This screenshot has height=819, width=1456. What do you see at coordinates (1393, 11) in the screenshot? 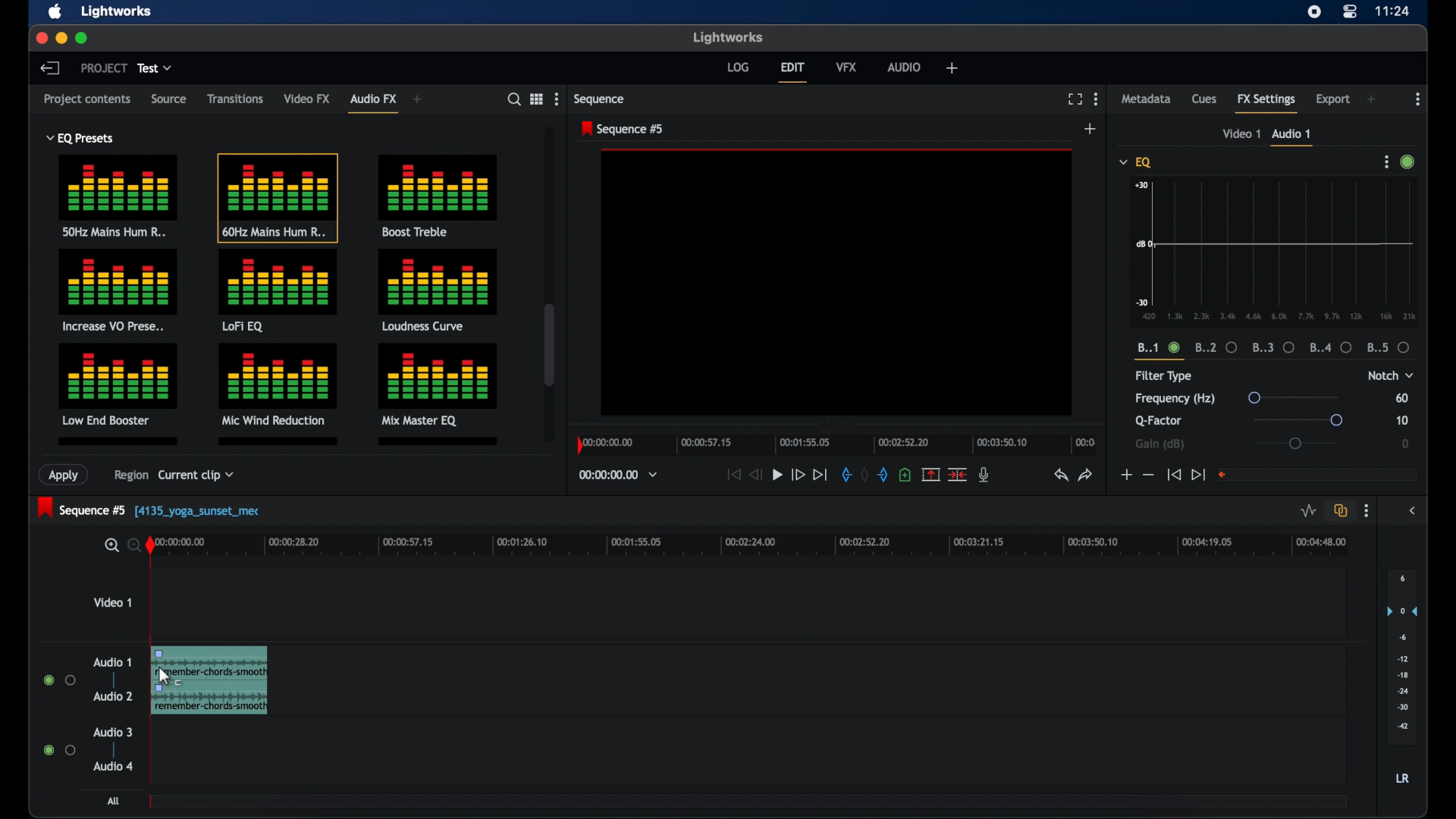
I see `time` at bounding box center [1393, 11].